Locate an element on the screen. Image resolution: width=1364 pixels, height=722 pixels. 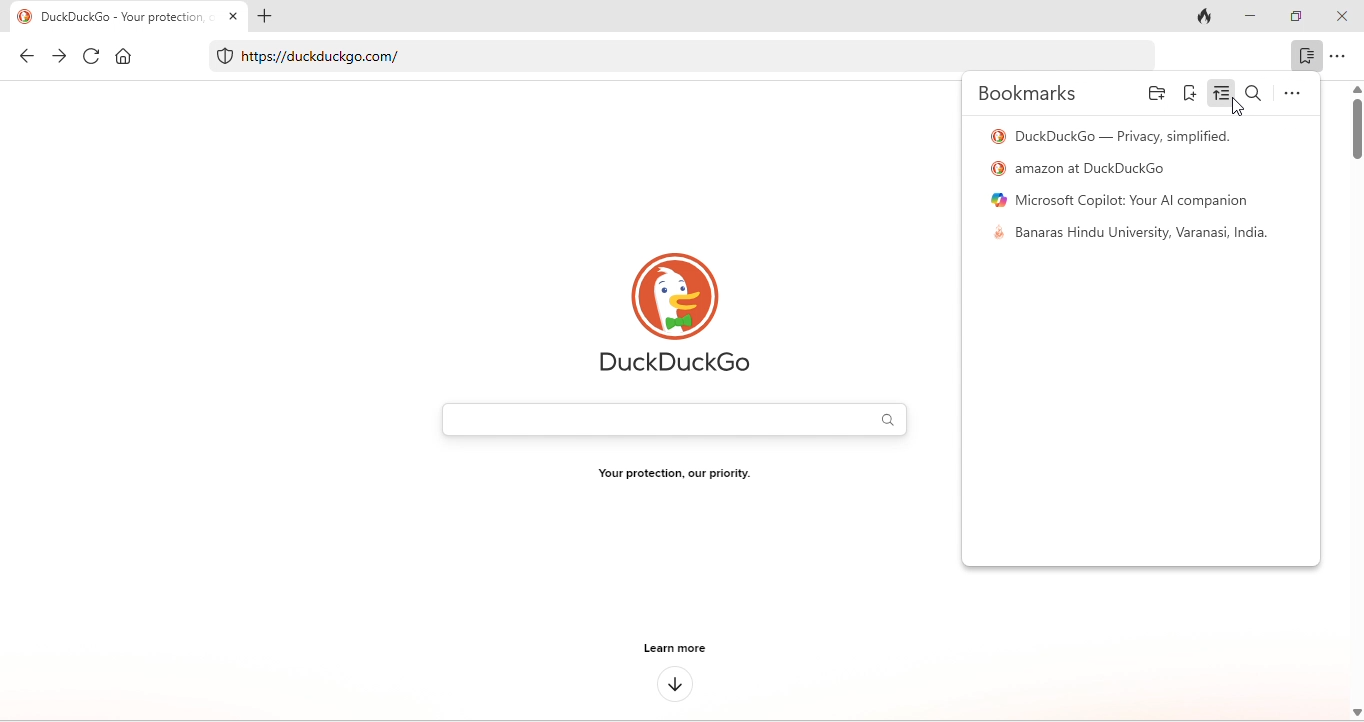
DuckDuckGo - Your protection  is located at coordinates (128, 17).